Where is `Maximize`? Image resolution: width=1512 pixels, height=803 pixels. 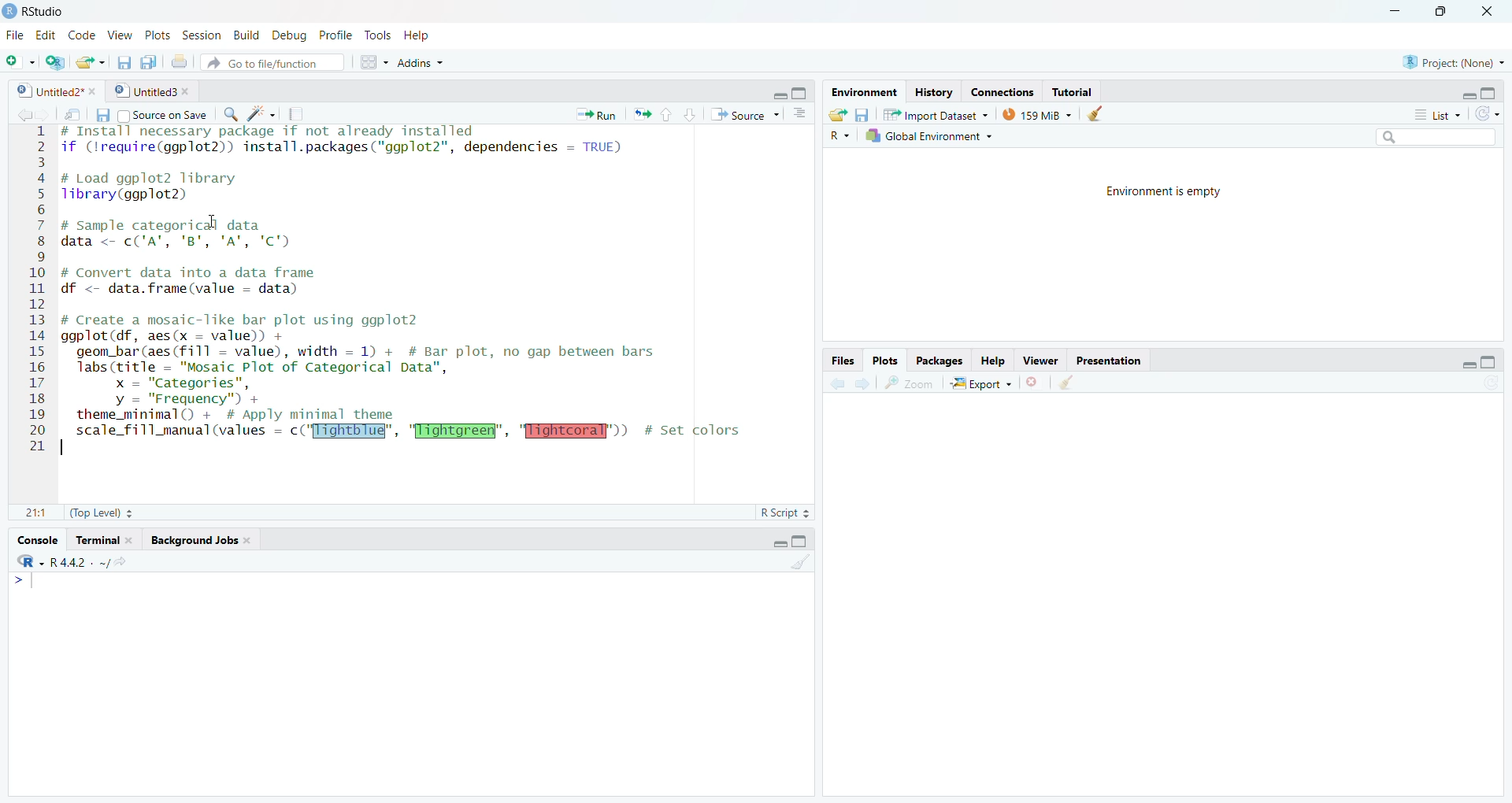
Maximize is located at coordinates (802, 541).